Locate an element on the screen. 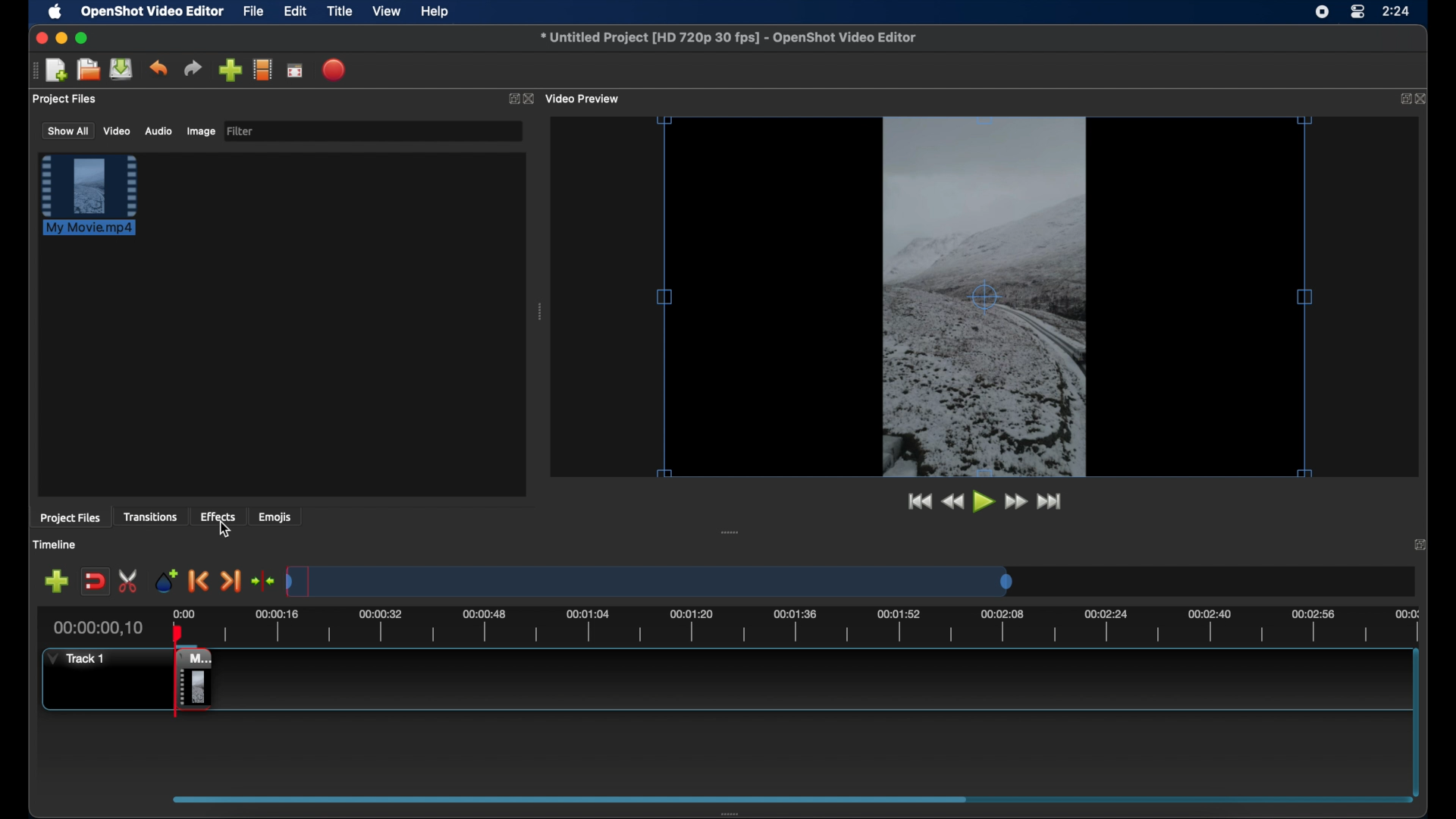 The image size is (1456, 819). fast for is located at coordinates (1015, 502).